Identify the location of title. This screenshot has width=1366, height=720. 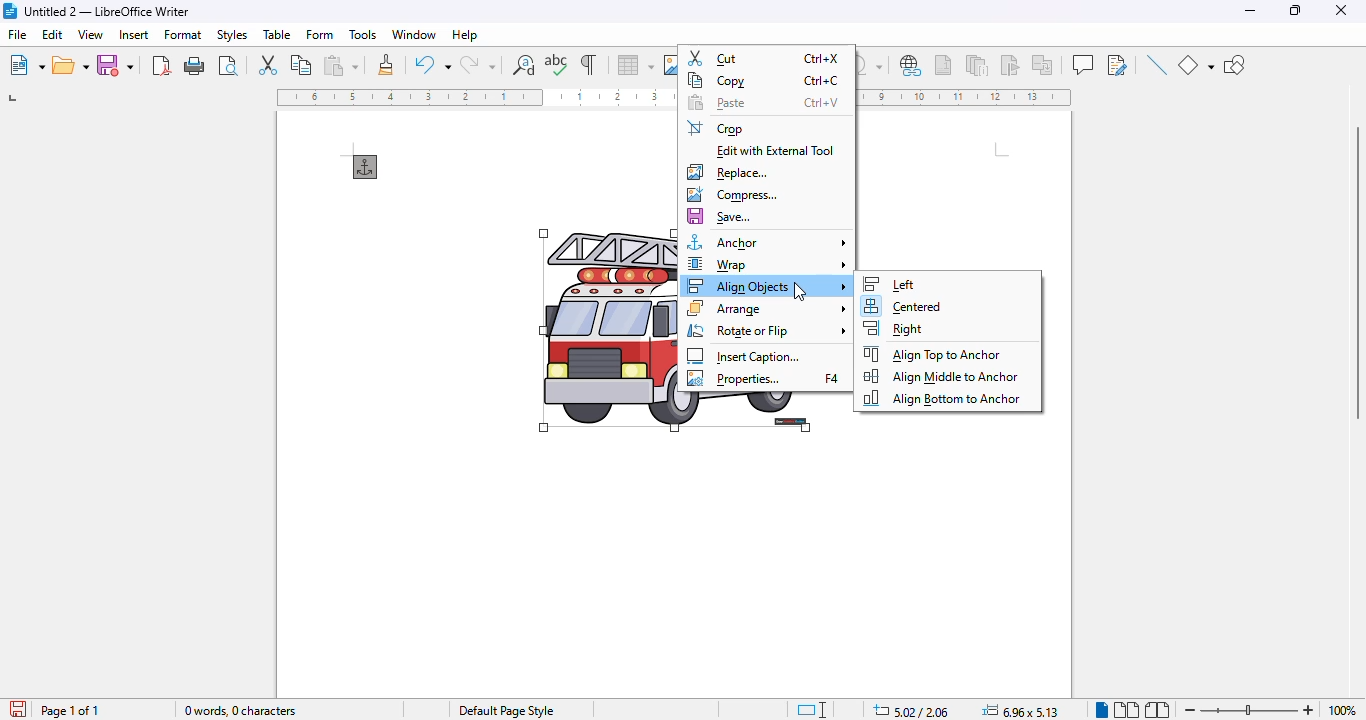
(107, 11).